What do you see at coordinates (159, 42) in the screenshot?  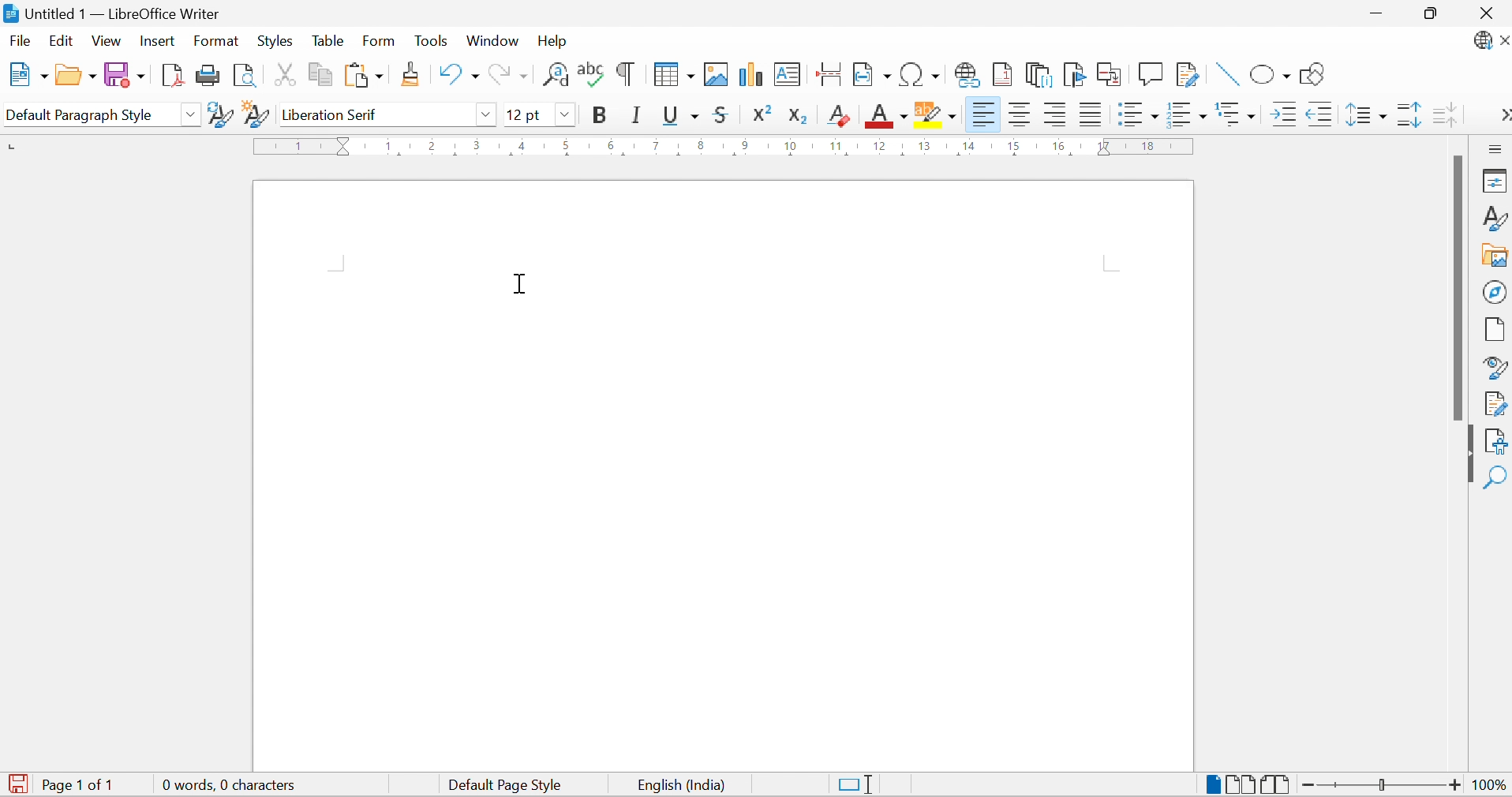 I see `Insert` at bounding box center [159, 42].